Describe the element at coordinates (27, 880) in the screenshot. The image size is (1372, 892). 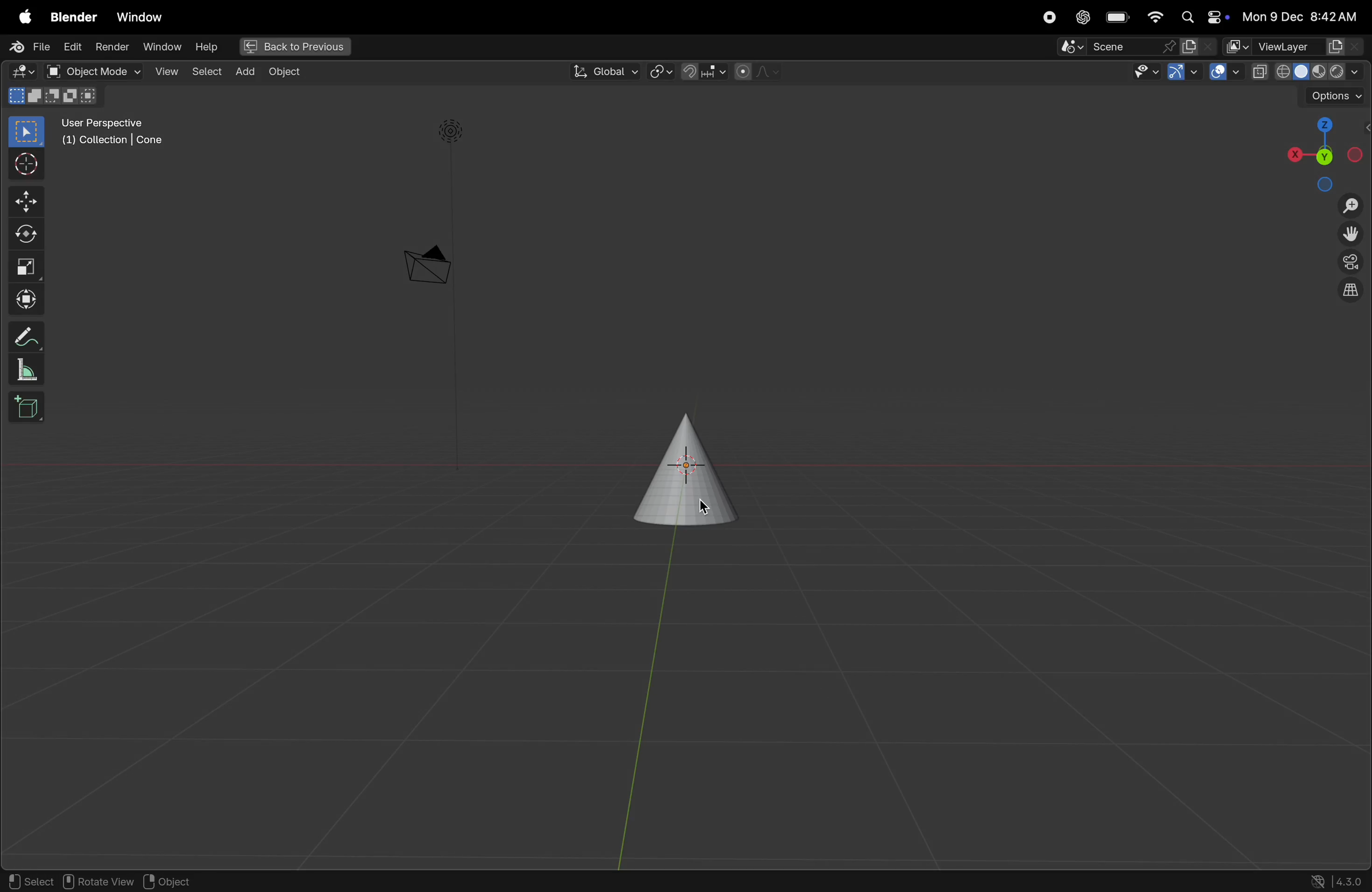
I see `select` at that location.